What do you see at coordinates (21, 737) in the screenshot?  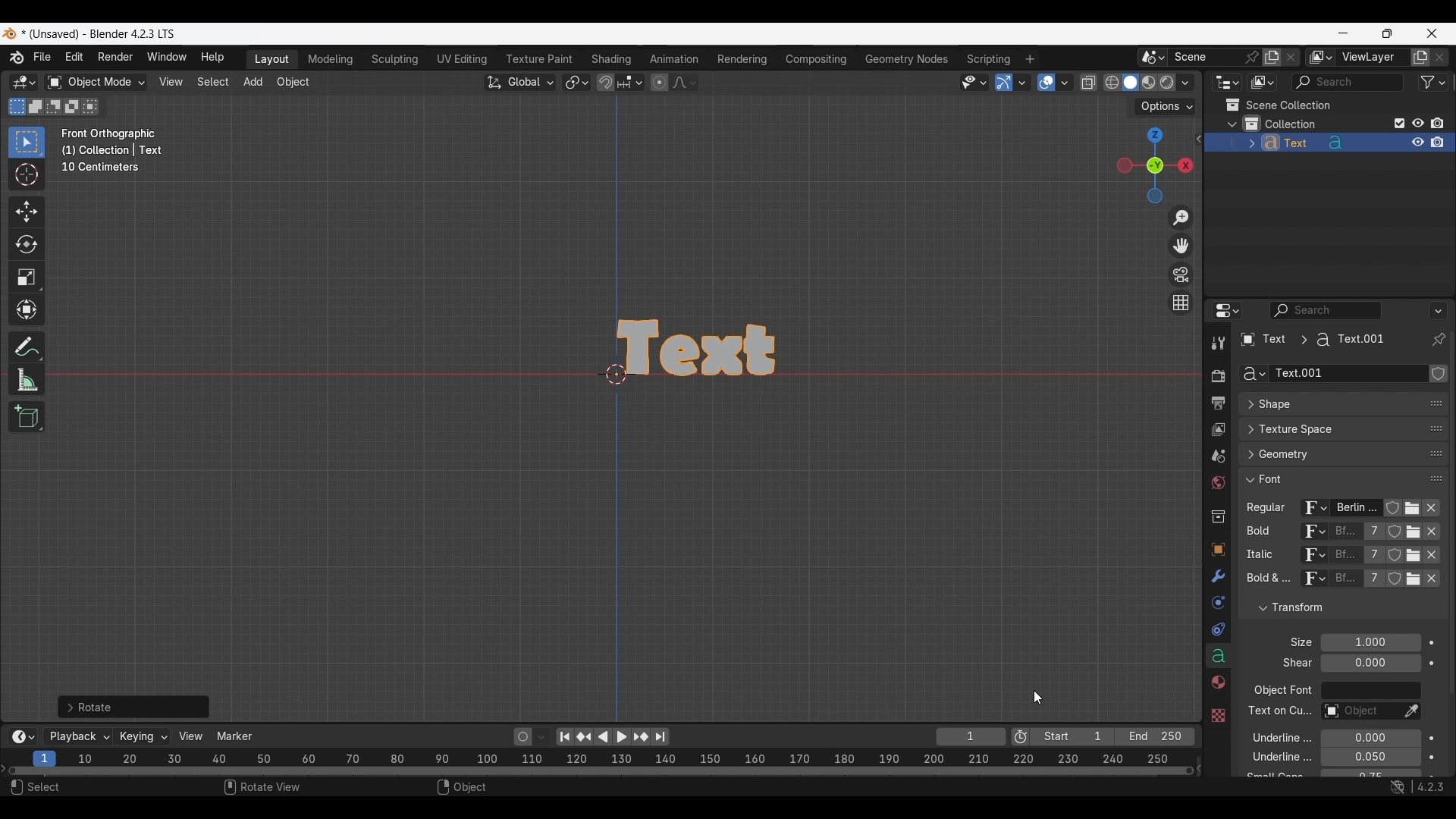 I see `More options` at bounding box center [21, 737].